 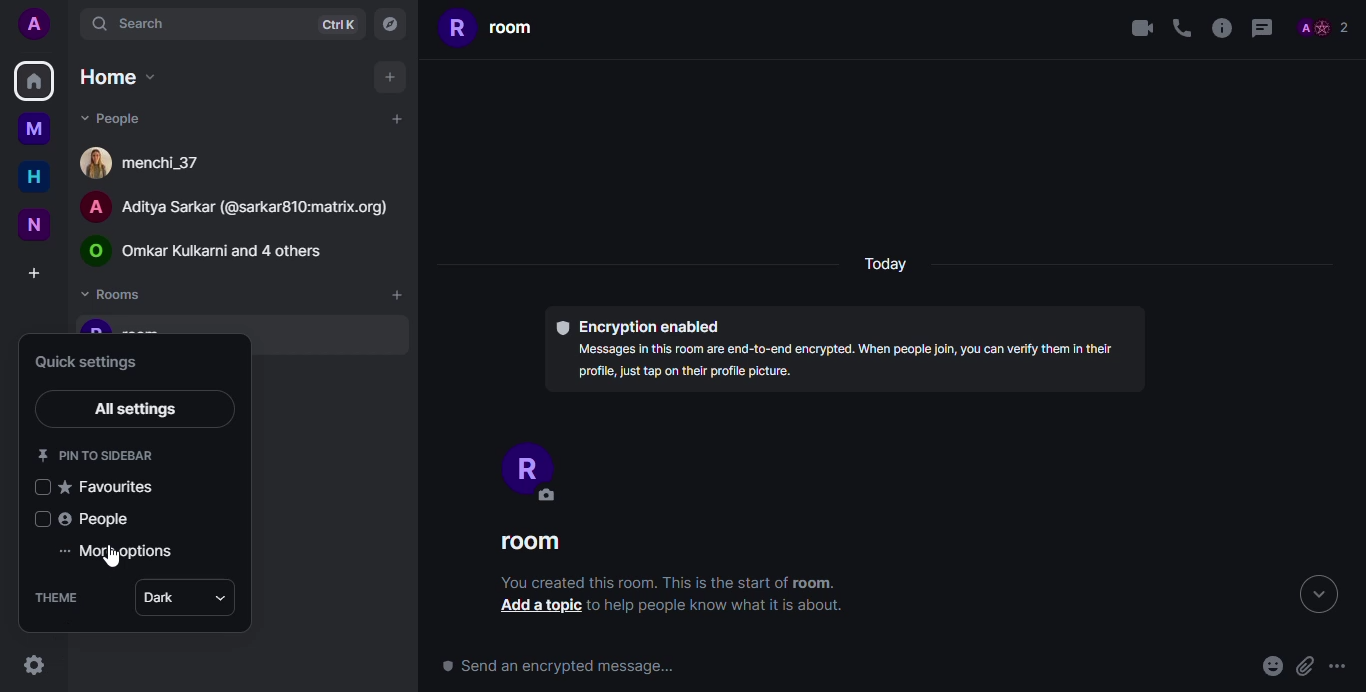 I want to click on more, so click(x=1339, y=663).